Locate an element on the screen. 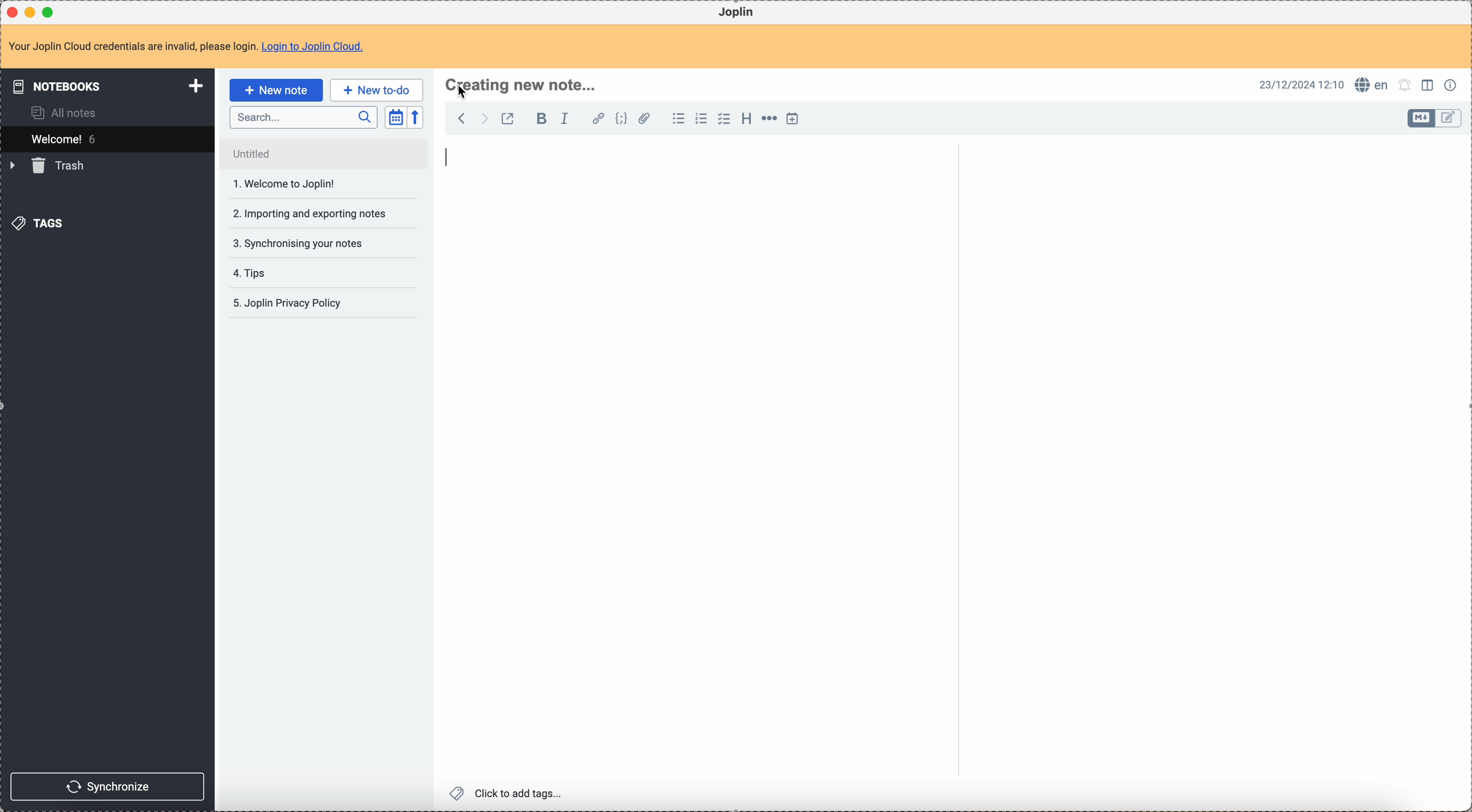  search bar is located at coordinates (303, 116).